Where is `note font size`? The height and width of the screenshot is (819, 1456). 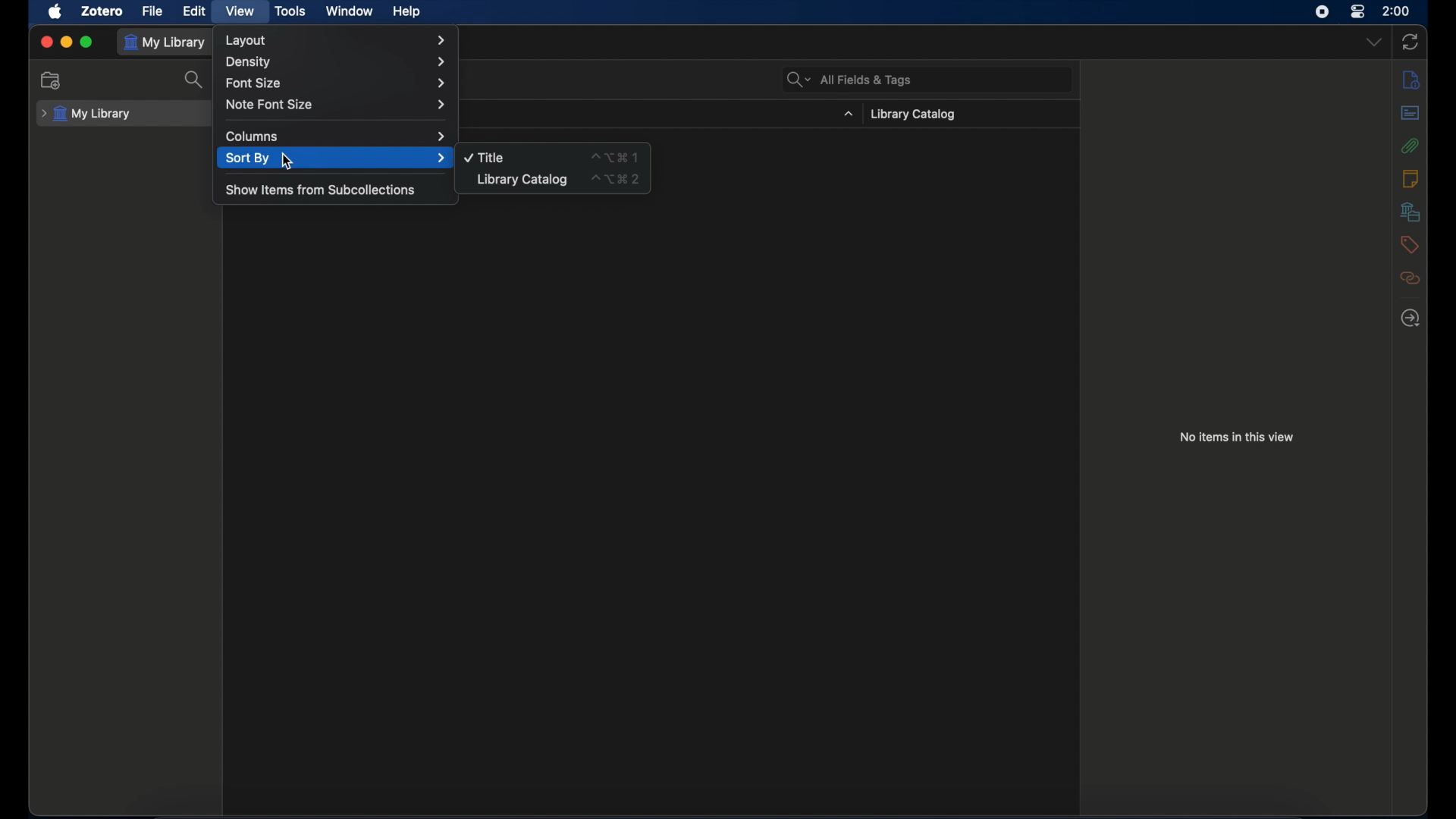 note font size is located at coordinates (338, 105).